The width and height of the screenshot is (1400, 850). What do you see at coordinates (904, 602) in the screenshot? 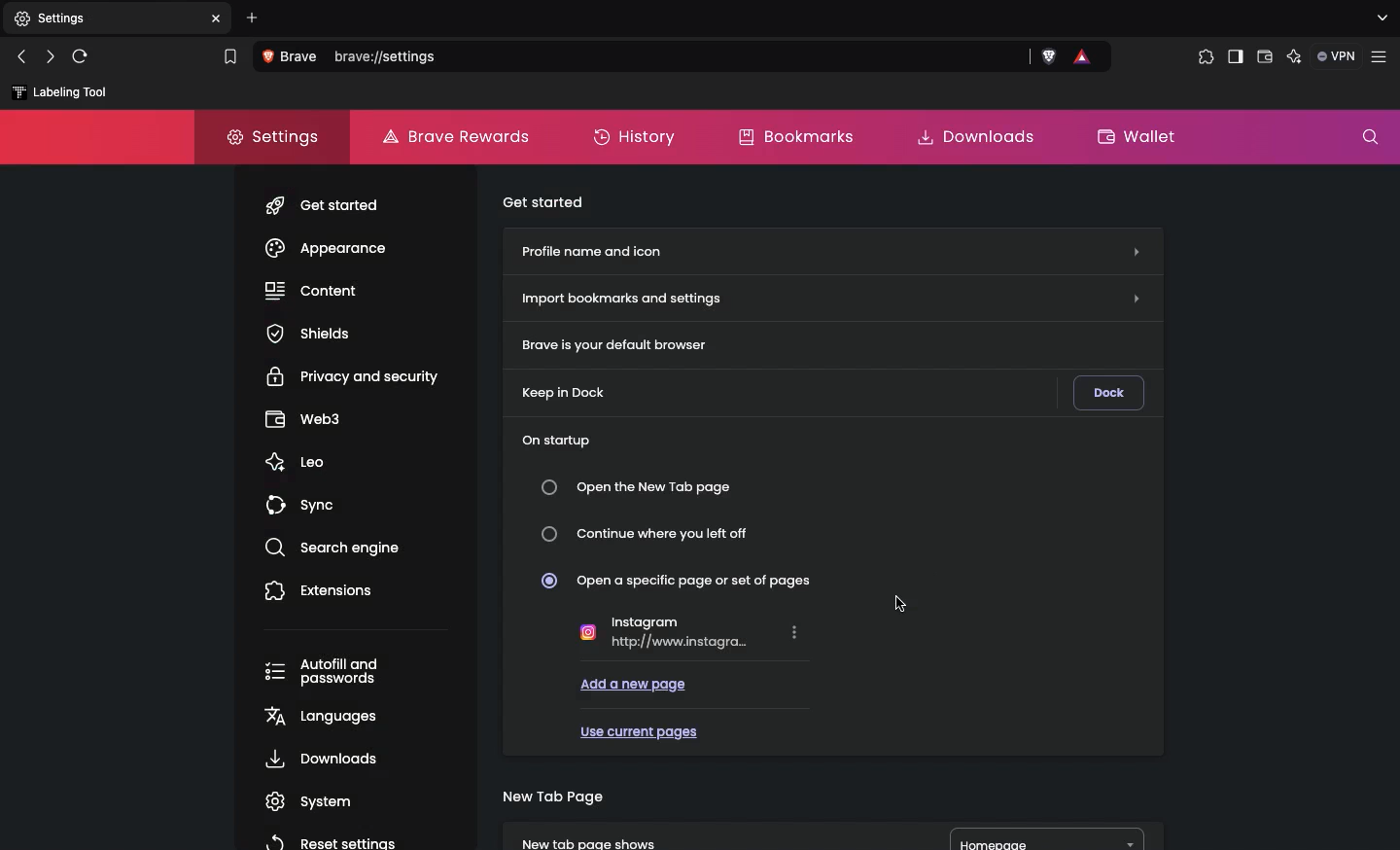
I see `Cursor selected import bookmarks` at bounding box center [904, 602].